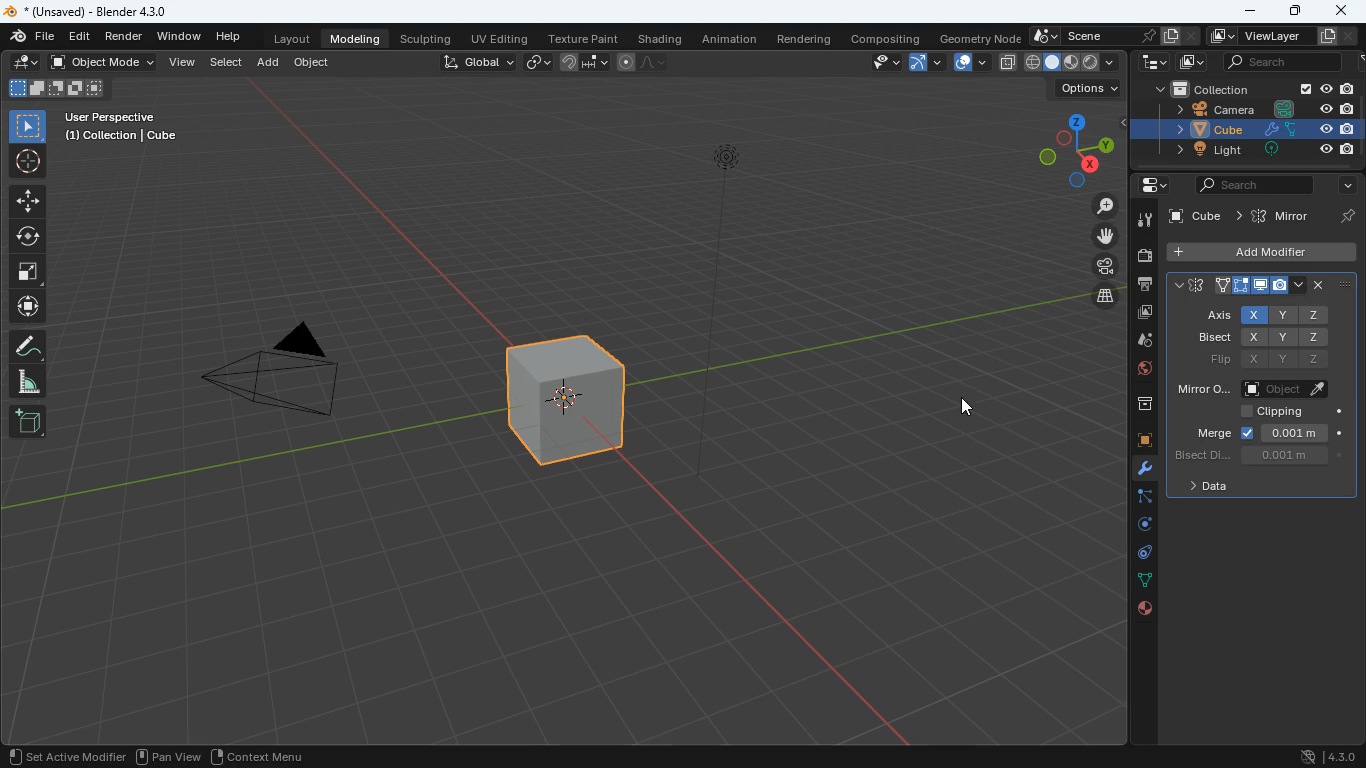  I want to click on region, so click(259, 755).